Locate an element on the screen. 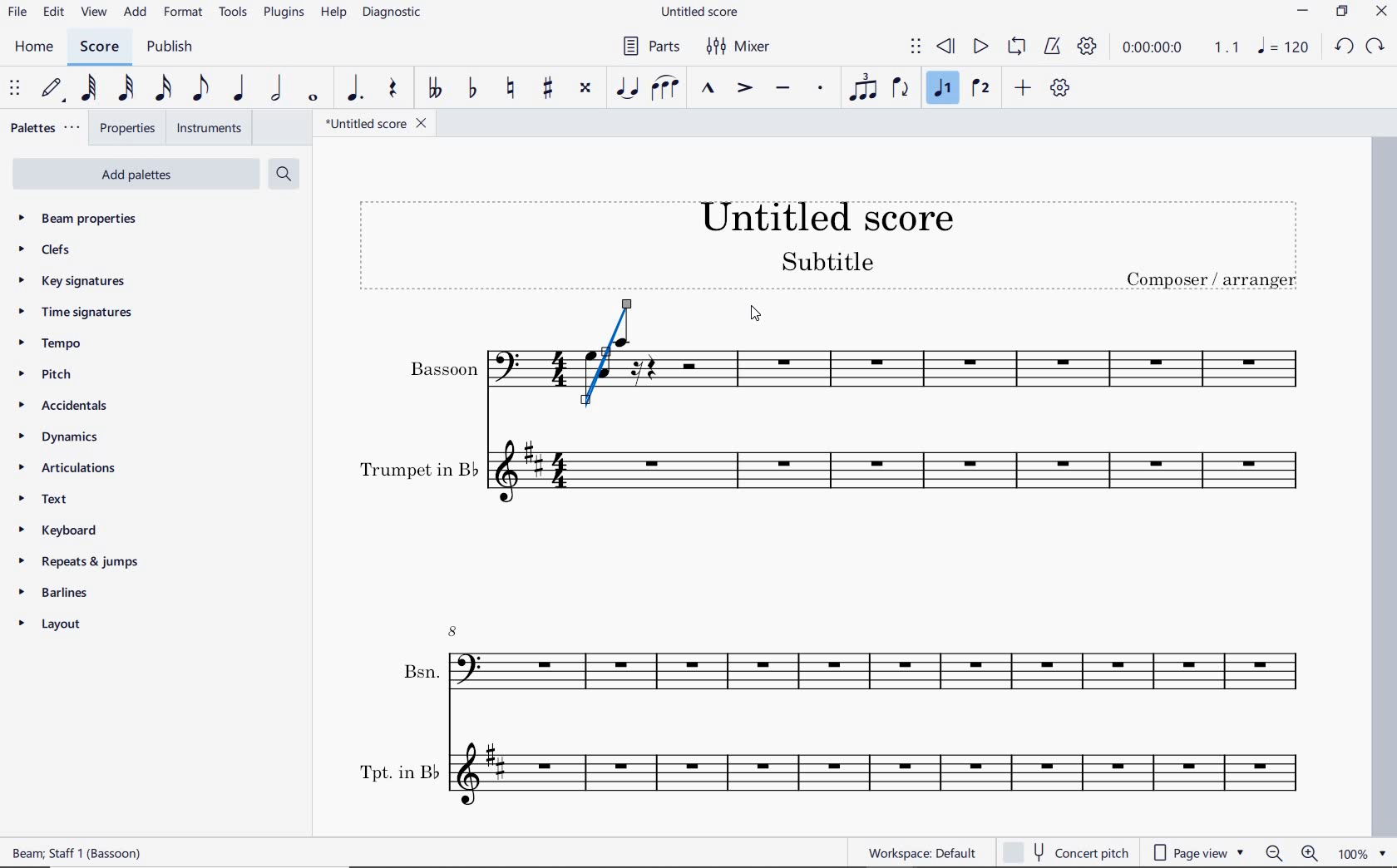 The image size is (1397, 868). redo is located at coordinates (1375, 47).